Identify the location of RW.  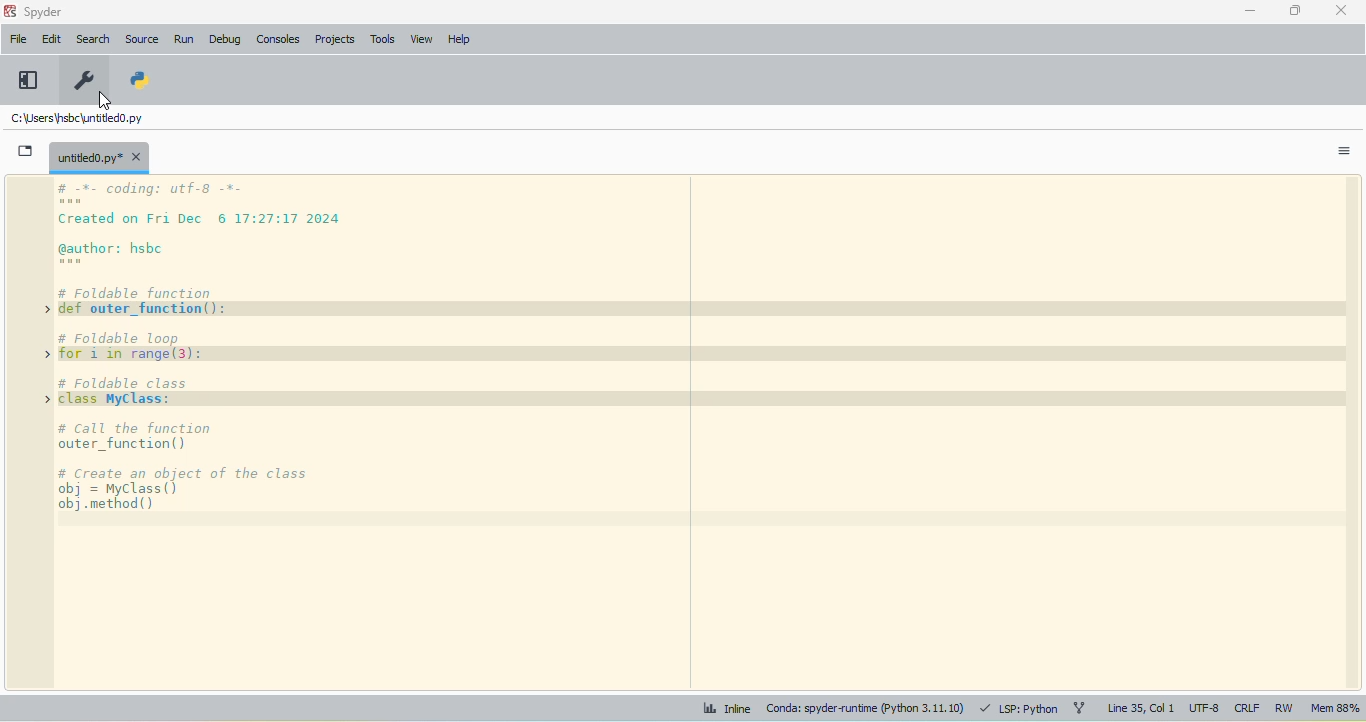
(1285, 708).